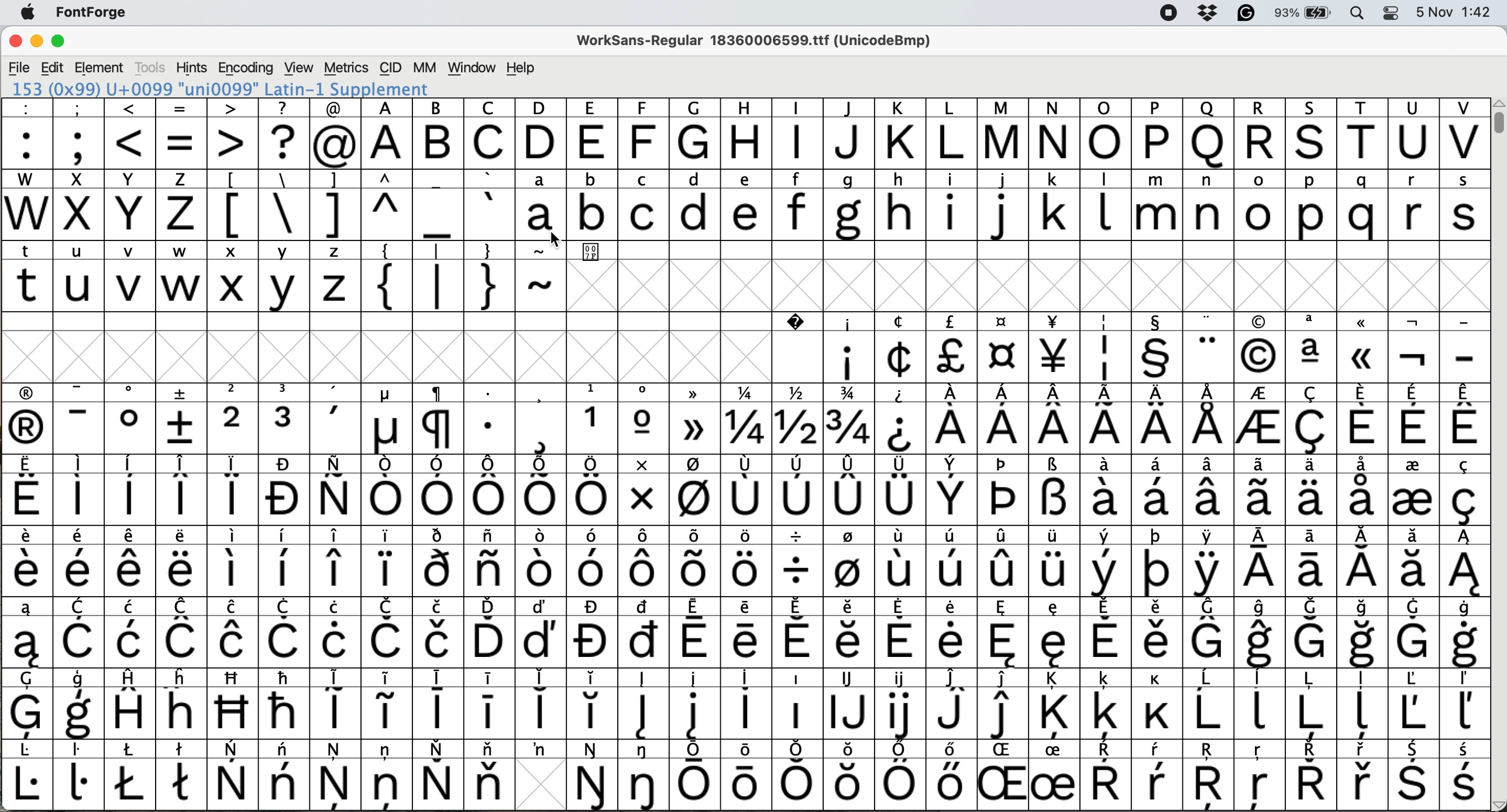 Image resolution: width=1507 pixels, height=812 pixels. I want to click on symbol, so click(1364, 776).